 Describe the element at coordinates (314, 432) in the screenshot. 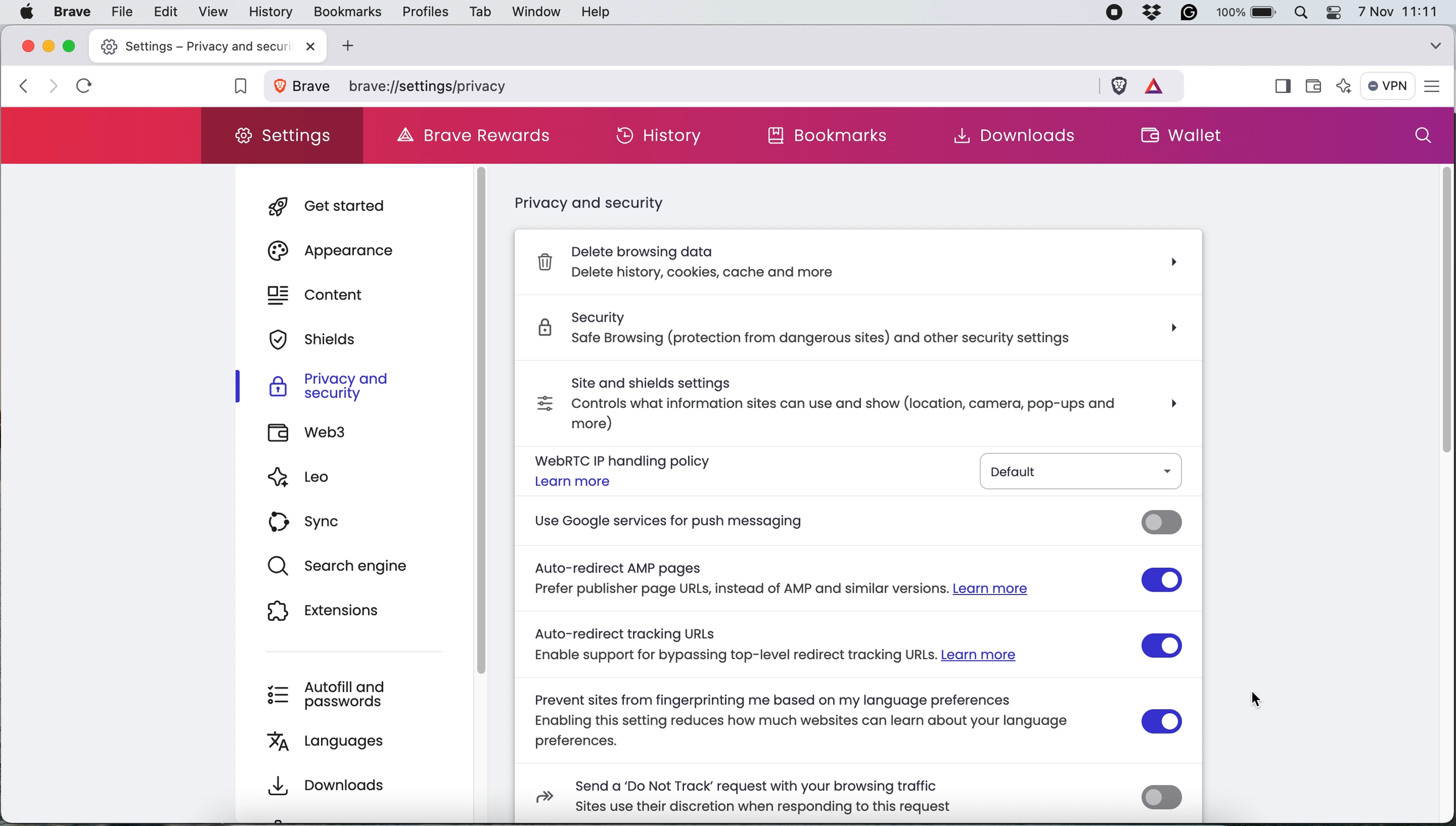

I see `web3` at that location.